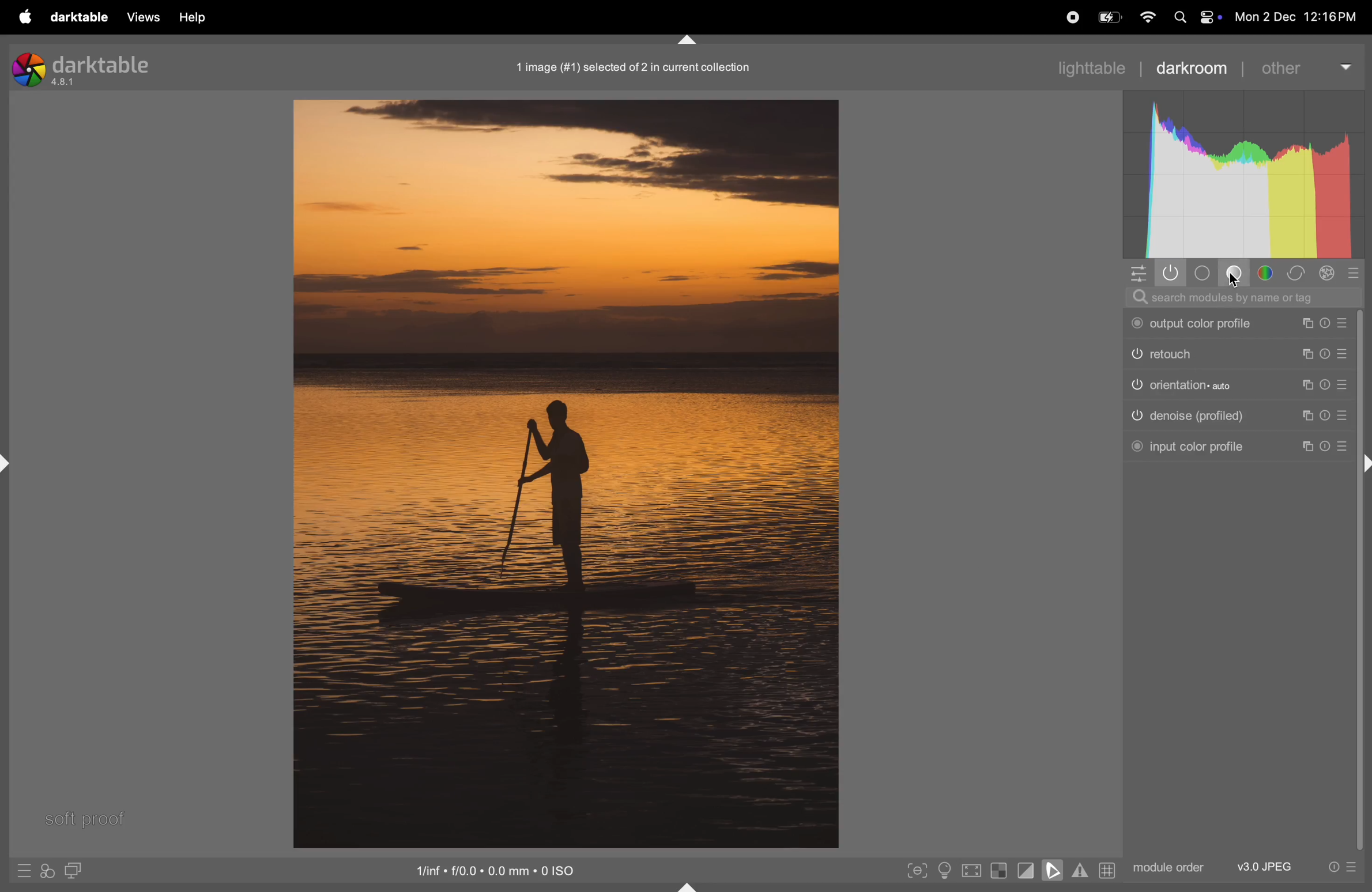  I want to click on show active modules only, so click(1173, 273).